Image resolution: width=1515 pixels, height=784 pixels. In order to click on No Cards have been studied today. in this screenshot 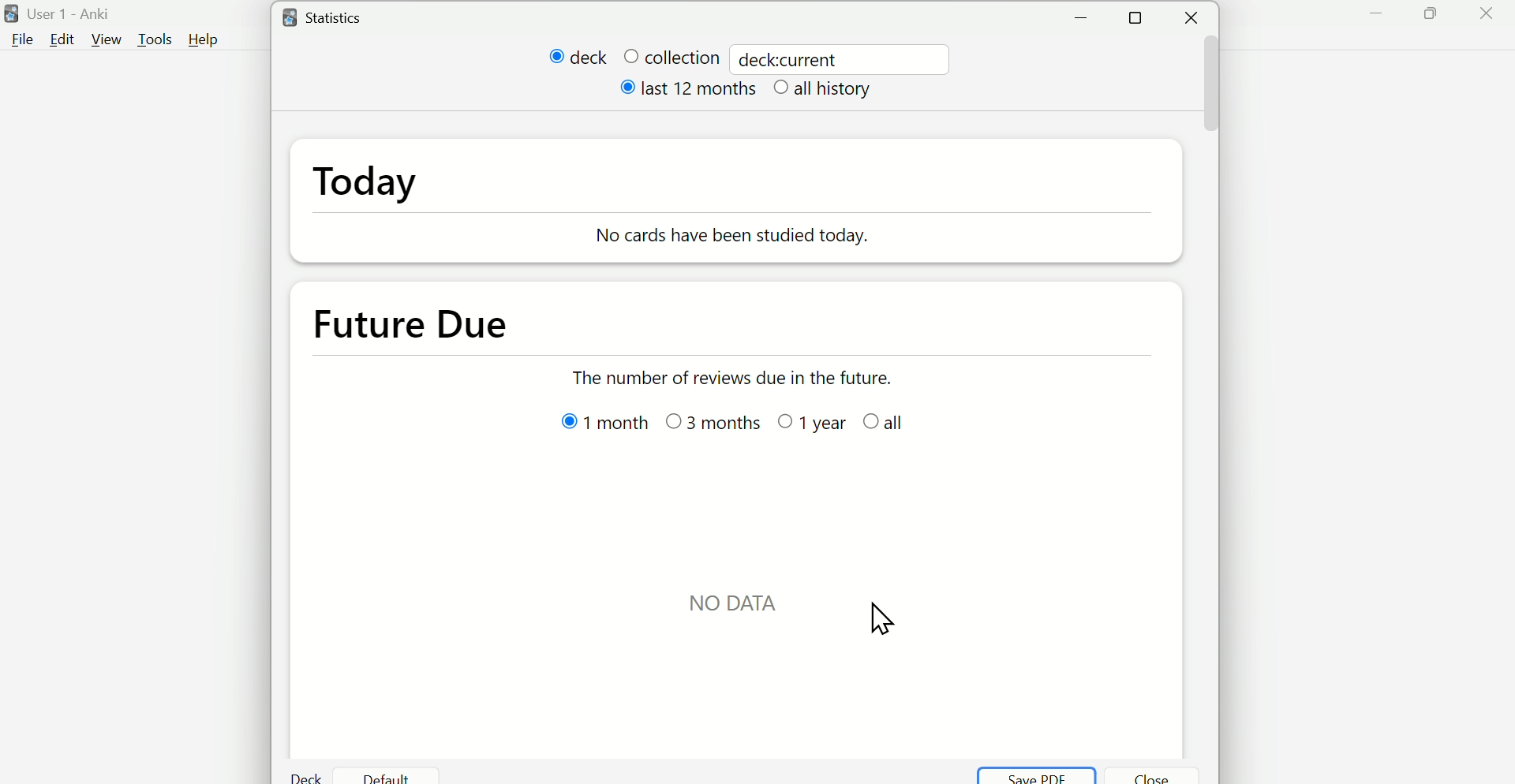, I will do `click(746, 235)`.